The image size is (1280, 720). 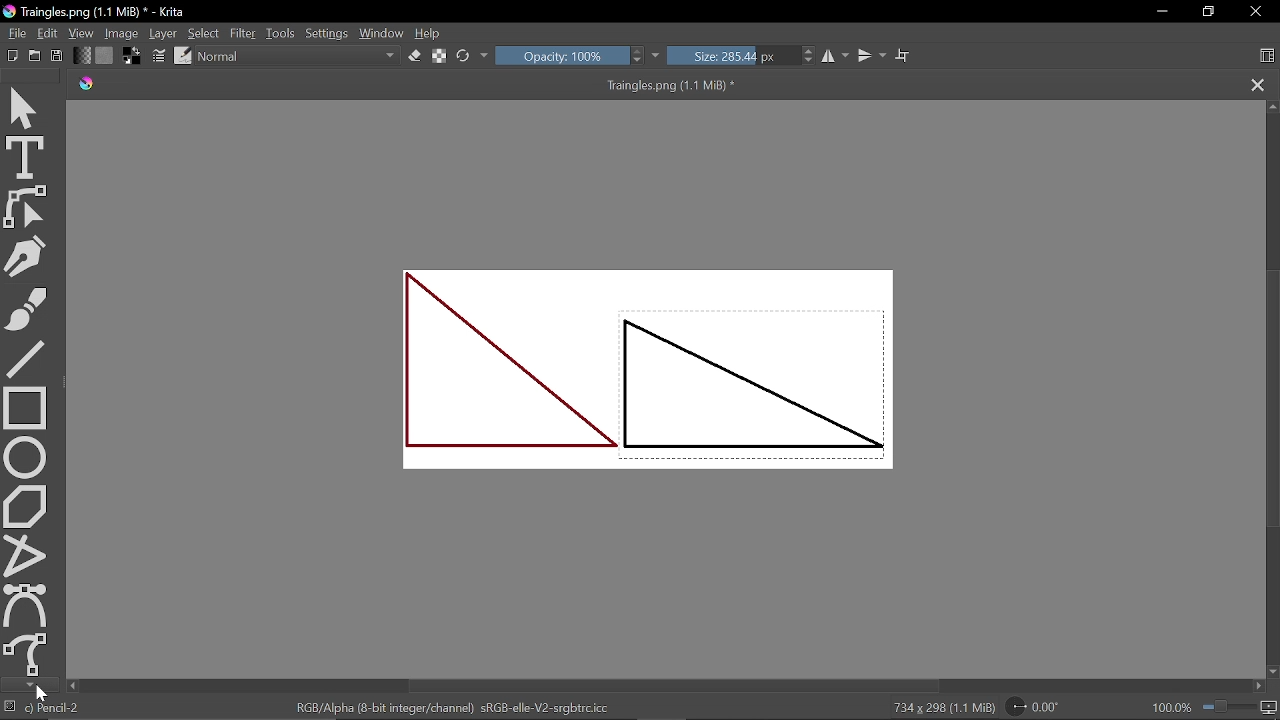 What do you see at coordinates (416, 56) in the screenshot?
I see `Eraser` at bounding box center [416, 56].